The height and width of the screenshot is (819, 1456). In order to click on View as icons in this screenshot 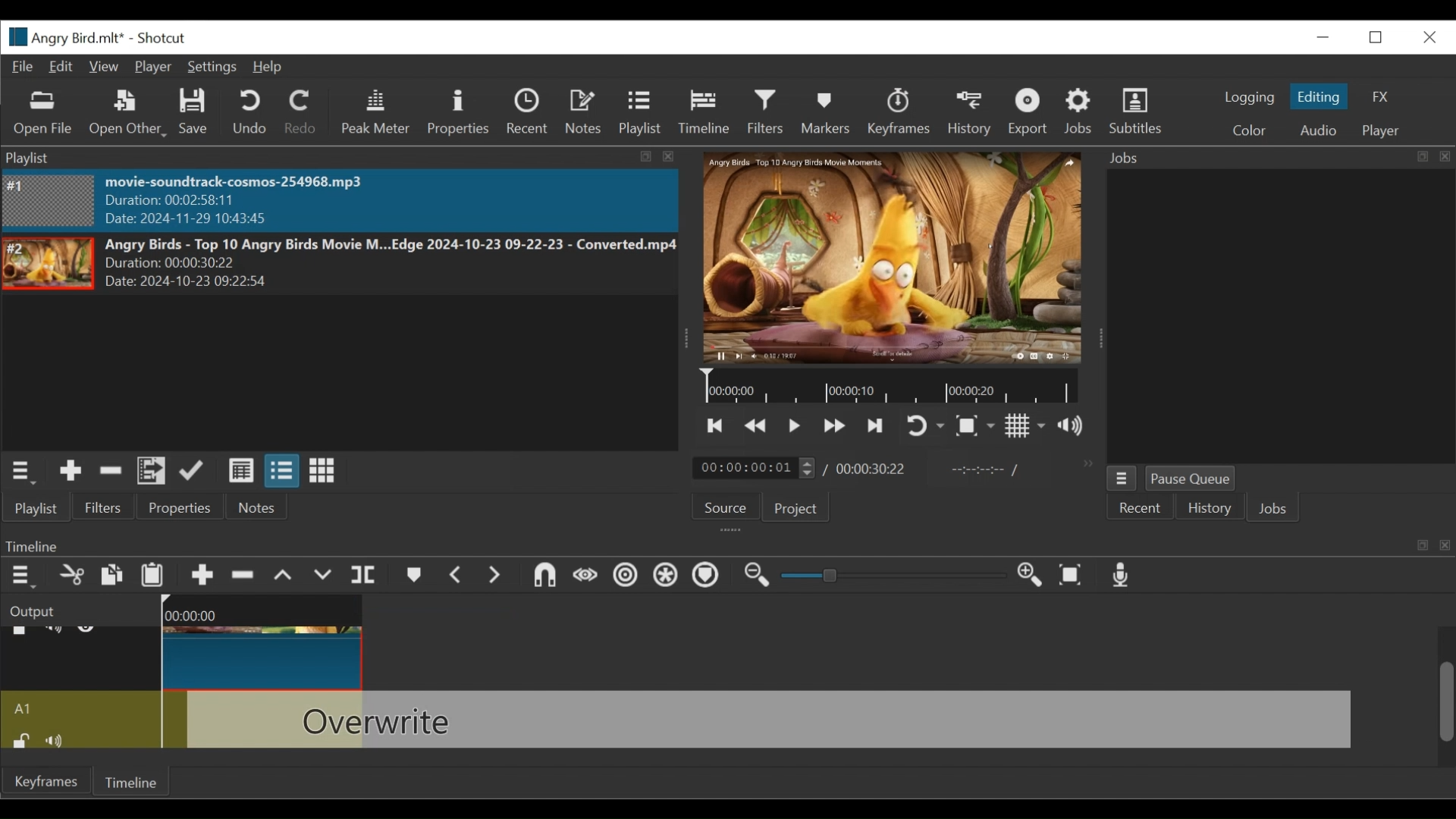, I will do `click(322, 471)`.